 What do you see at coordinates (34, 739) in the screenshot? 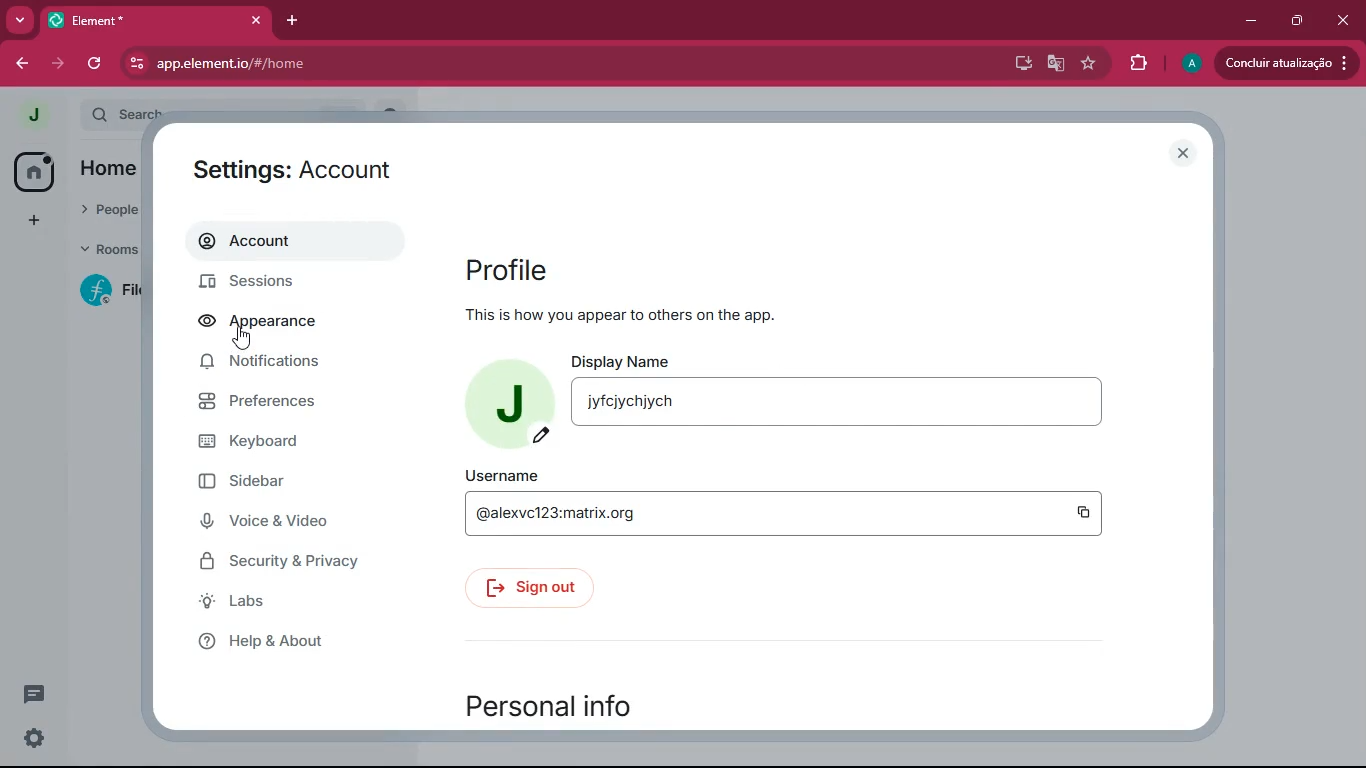
I see `settings` at bounding box center [34, 739].